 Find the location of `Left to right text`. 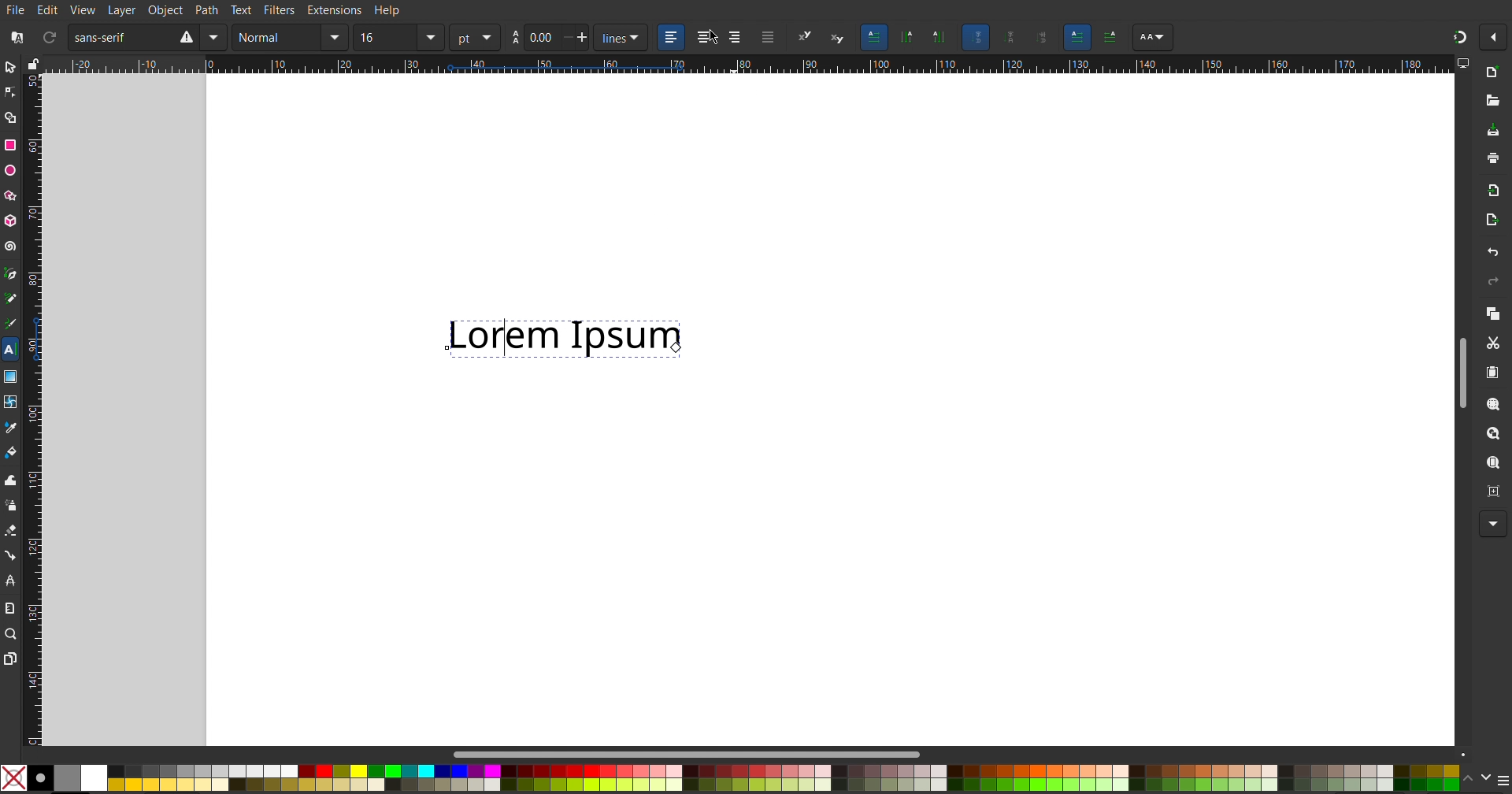

Left to right text is located at coordinates (1075, 37).